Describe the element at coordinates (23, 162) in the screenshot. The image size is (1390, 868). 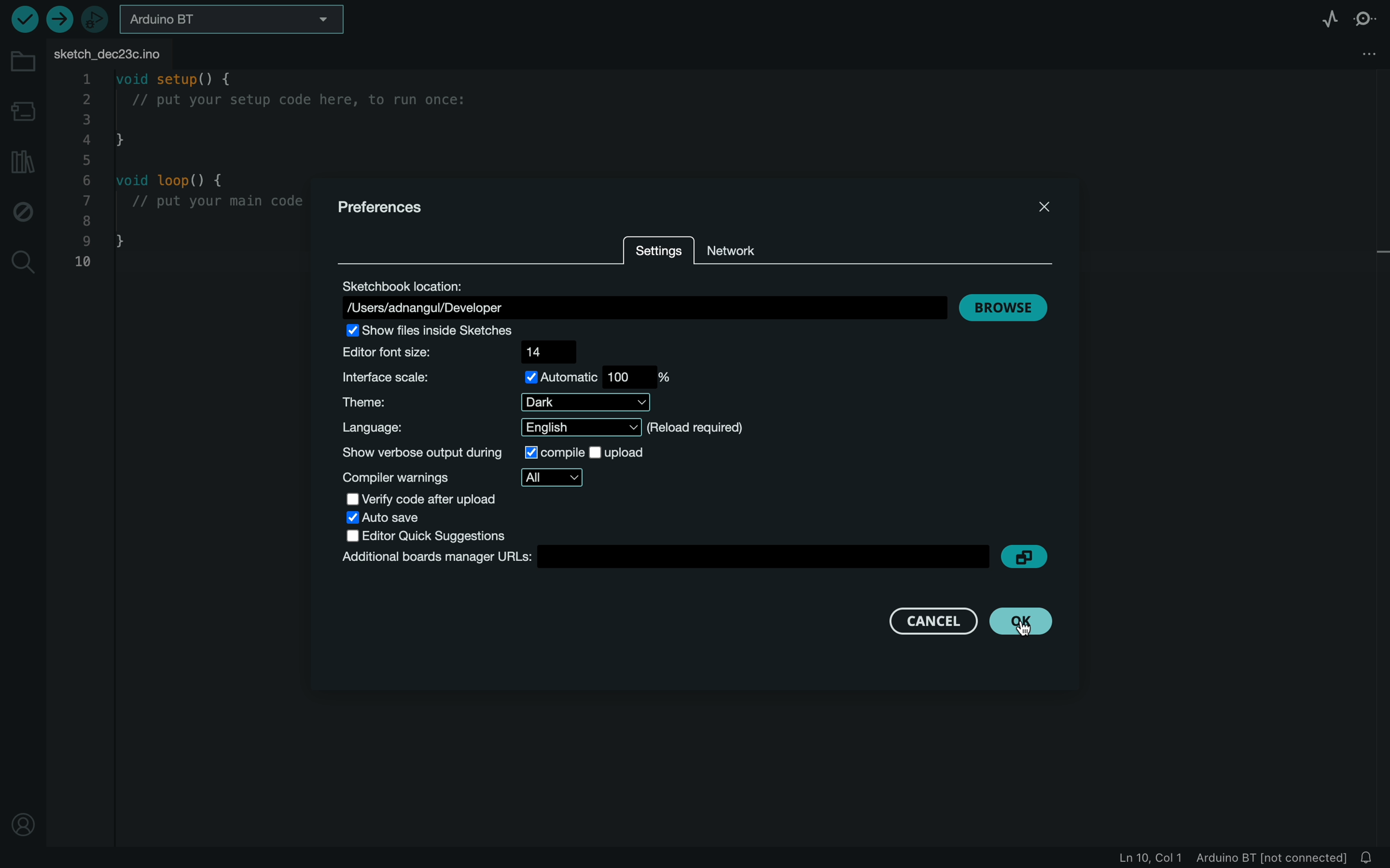
I see `library manager` at that location.